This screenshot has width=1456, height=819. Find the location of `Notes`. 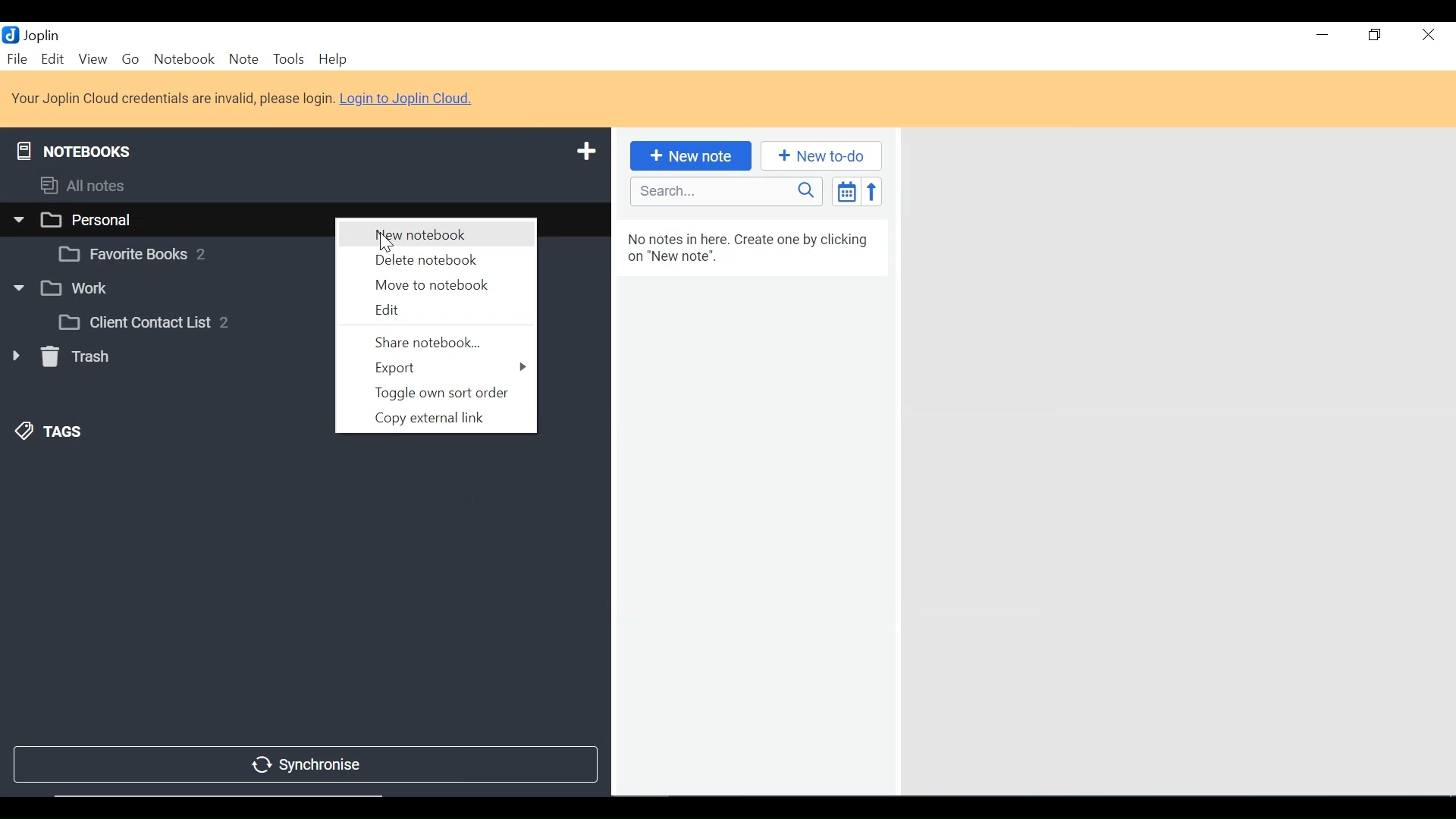

Notes is located at coordinates (752, 506).